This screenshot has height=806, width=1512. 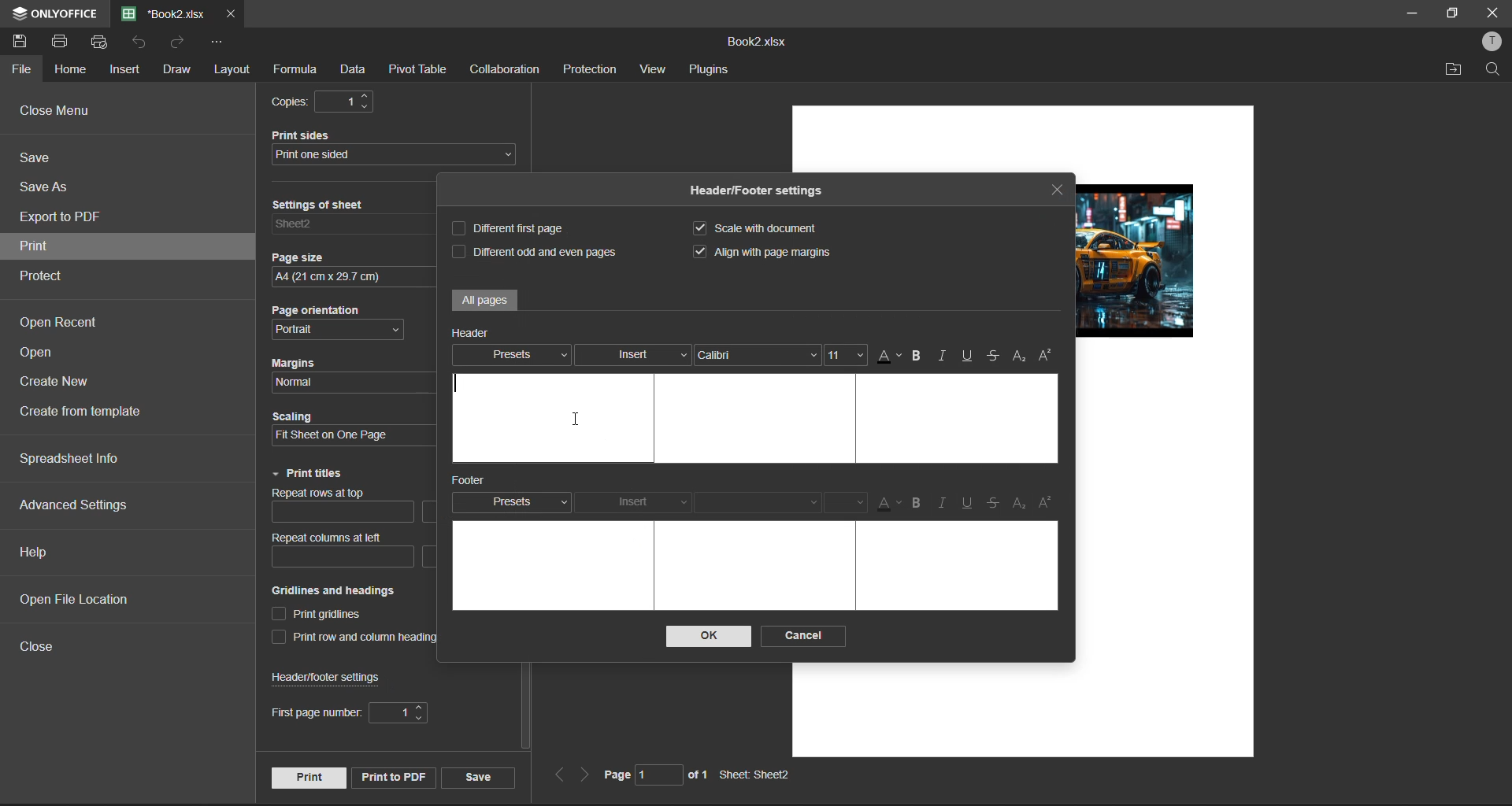 I want to click on settings of sheet, so click(x=350, y=220).